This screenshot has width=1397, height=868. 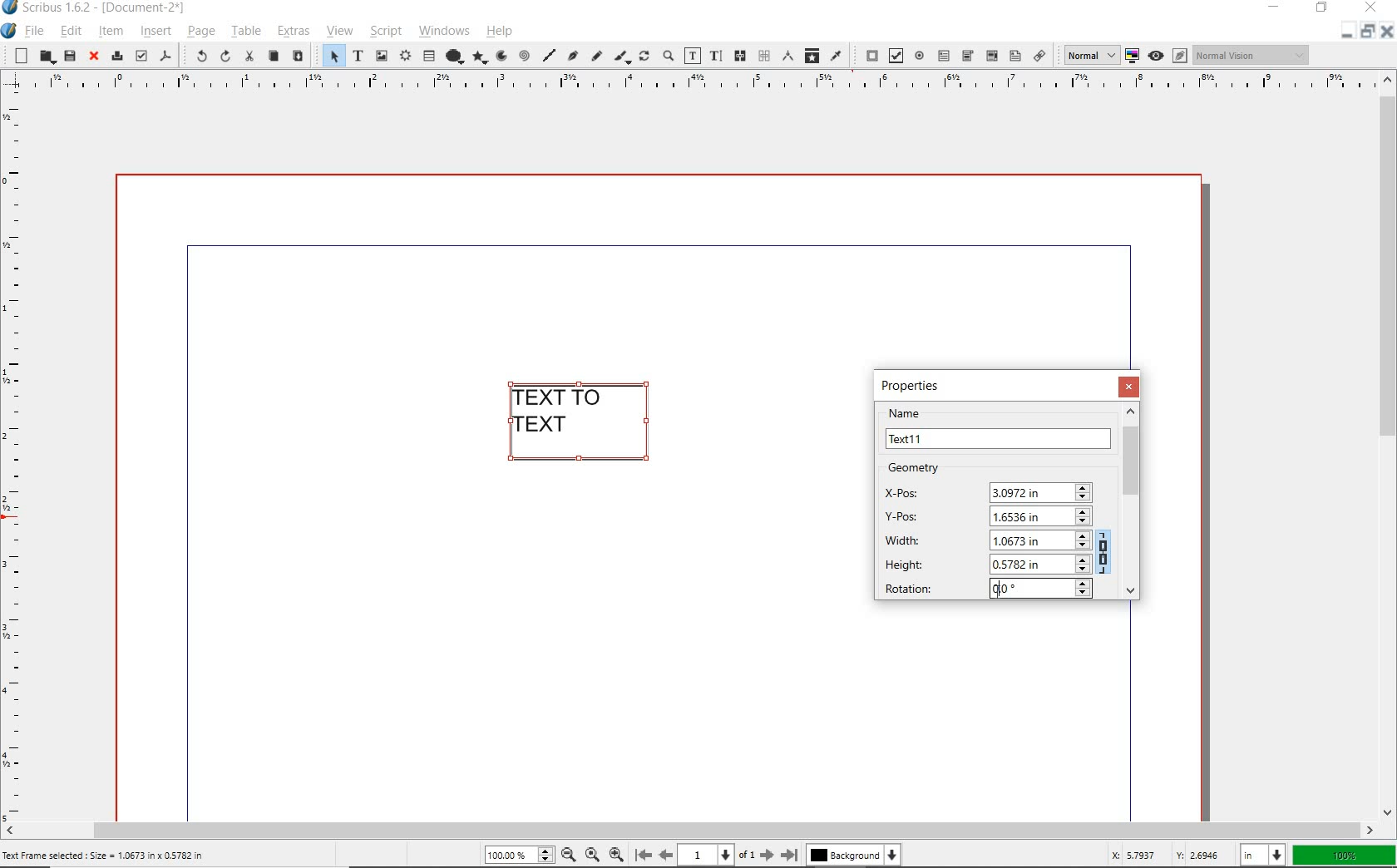 I want to click on view, so click(x=340, y=32).